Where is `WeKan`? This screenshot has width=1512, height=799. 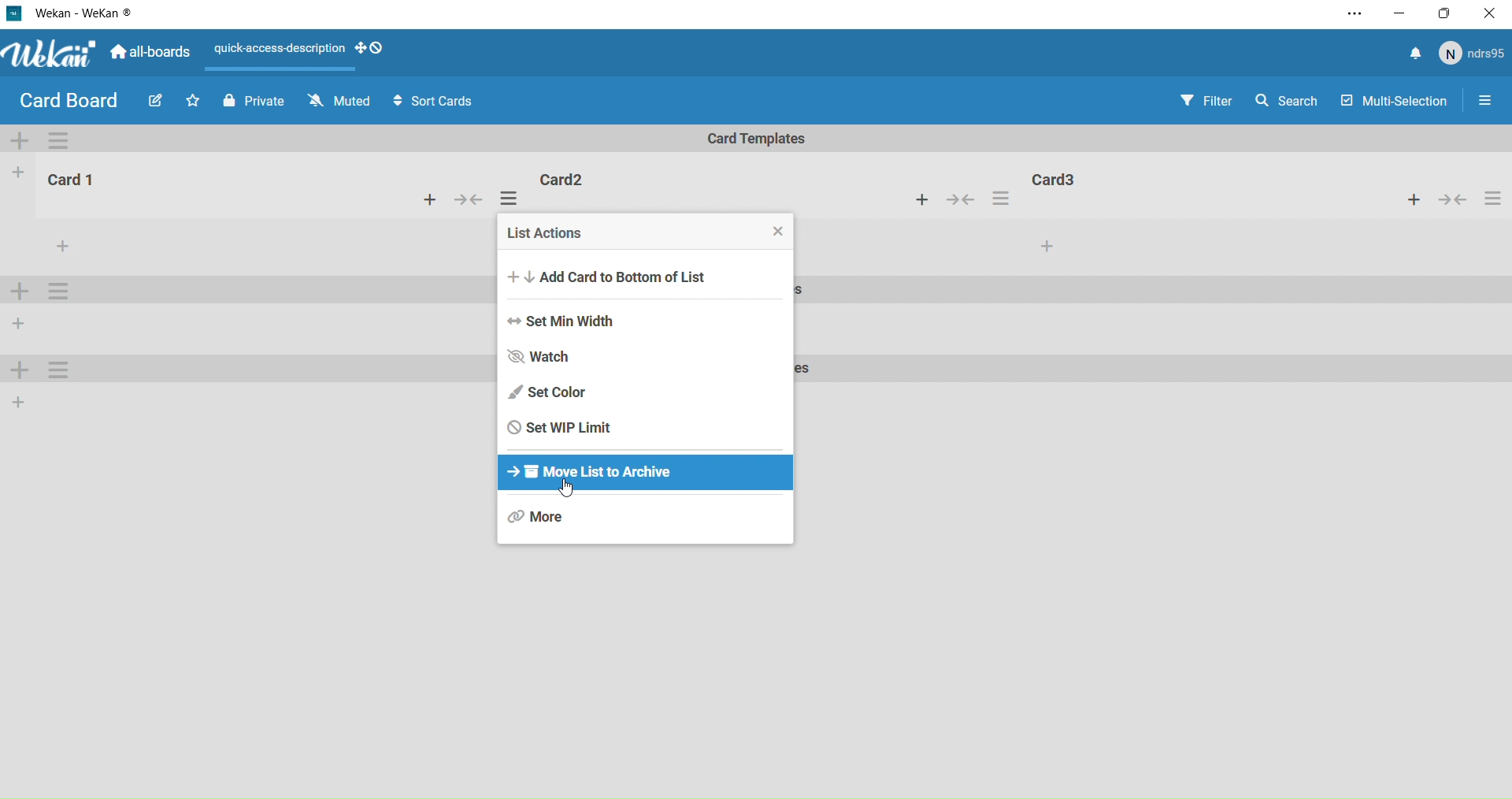 WeKan is located at coordinates (49, 55).